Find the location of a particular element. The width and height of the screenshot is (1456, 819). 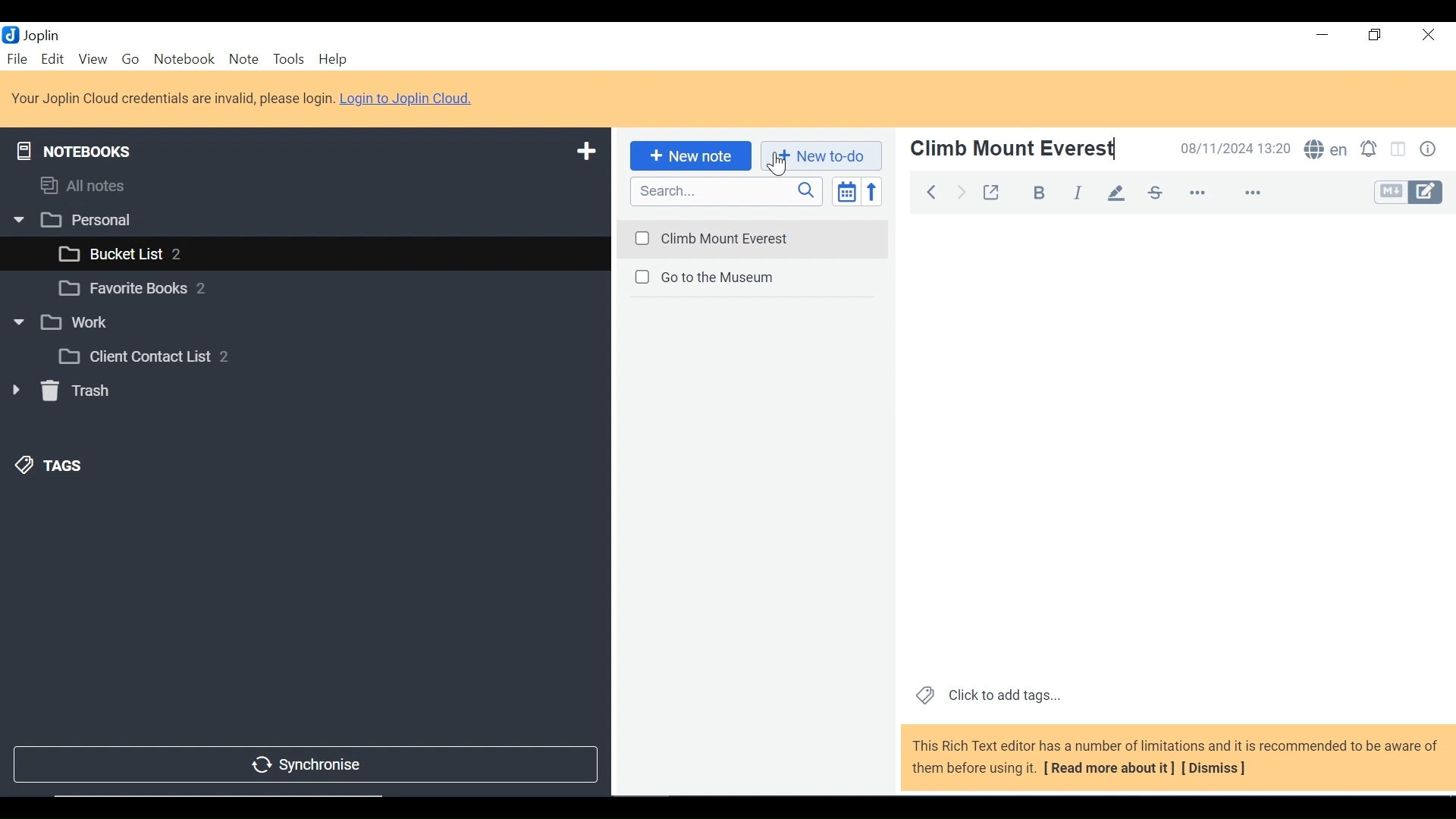

minimize is located at coordinates (1323, 37).